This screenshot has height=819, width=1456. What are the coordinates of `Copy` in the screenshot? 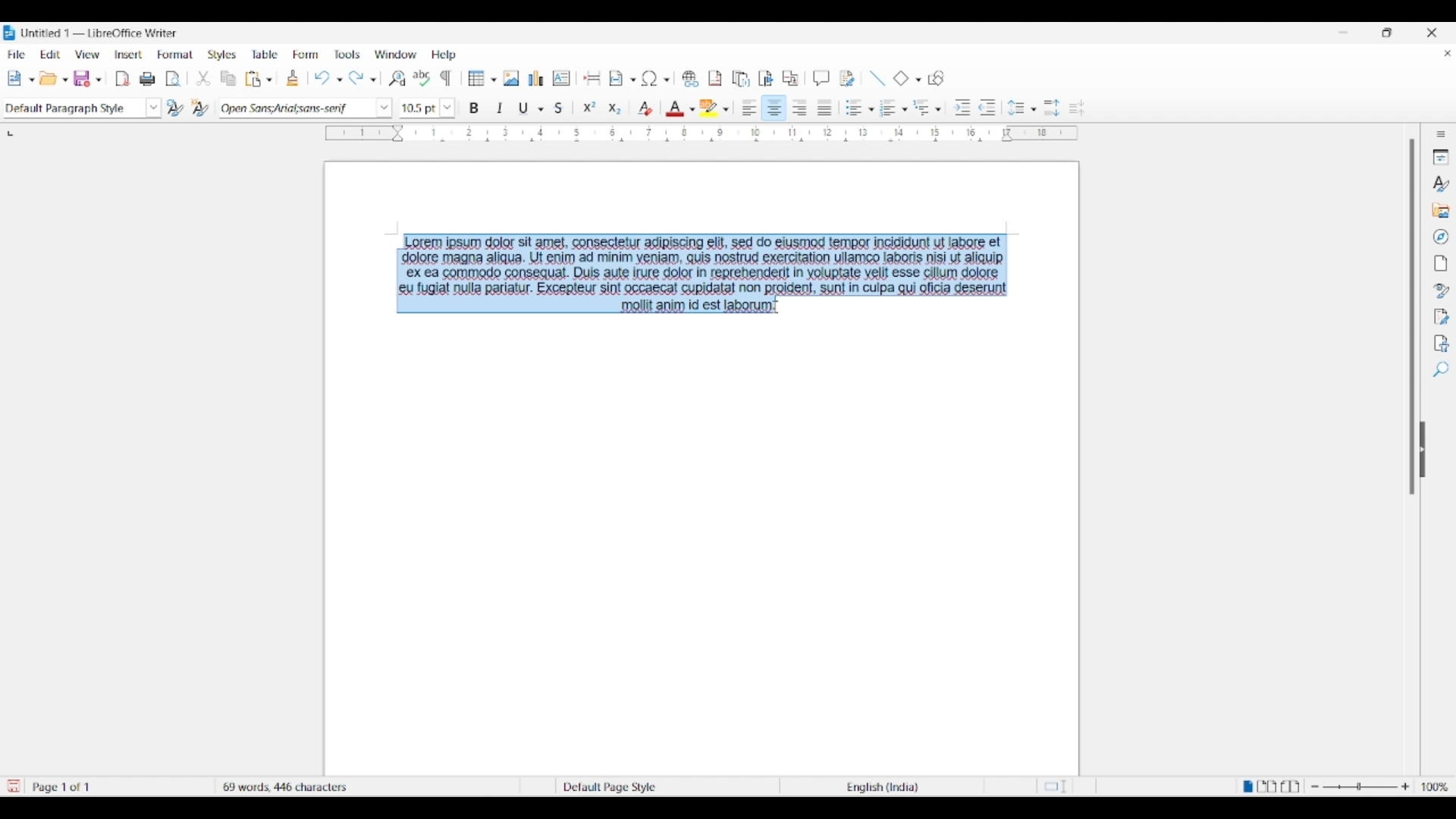 It's located at (228, 78).